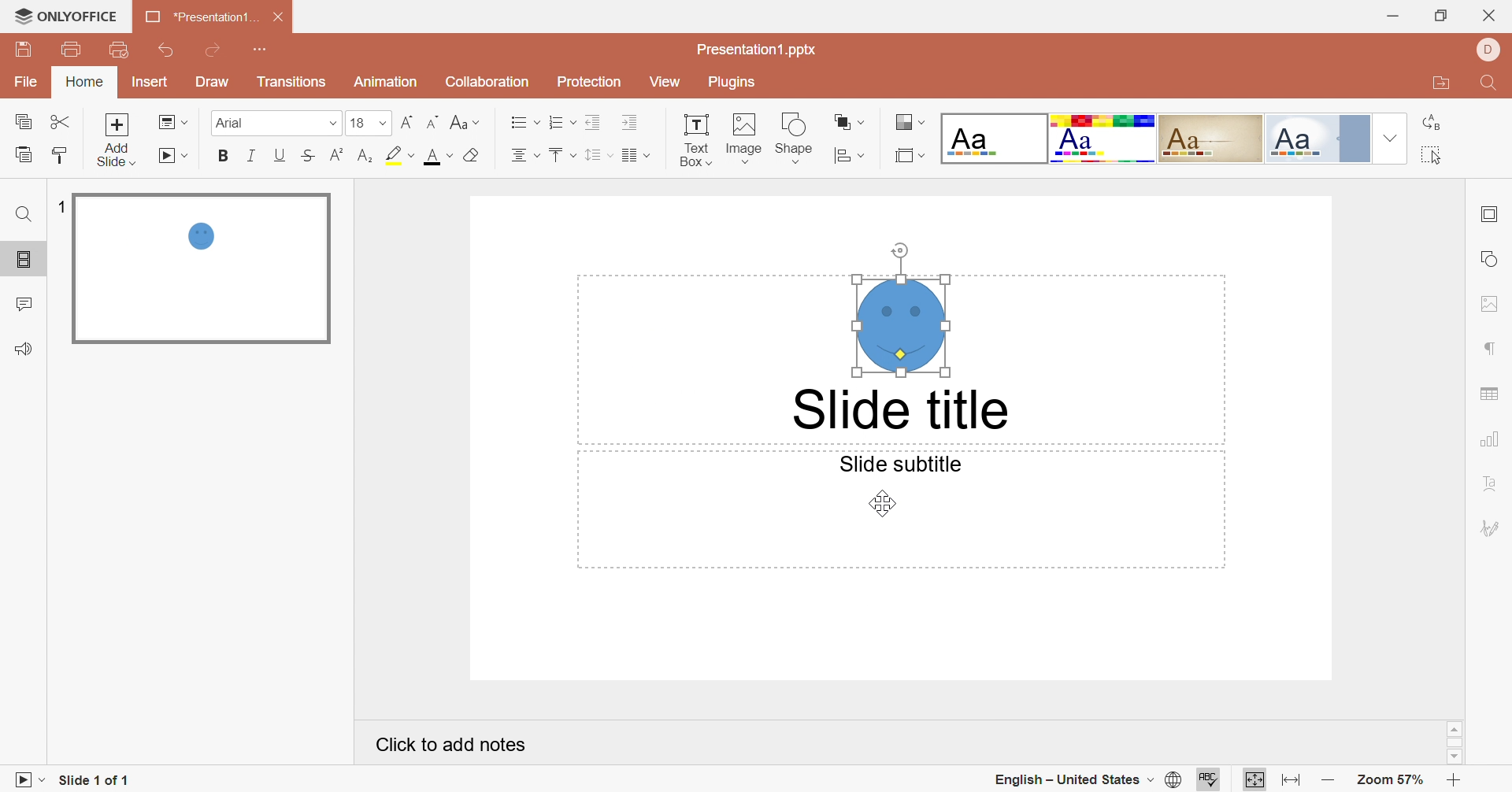  What do you see at coordinates (306, 156) in the screenshot?
I see `Strikethrough` at bounding box center [306, 156].